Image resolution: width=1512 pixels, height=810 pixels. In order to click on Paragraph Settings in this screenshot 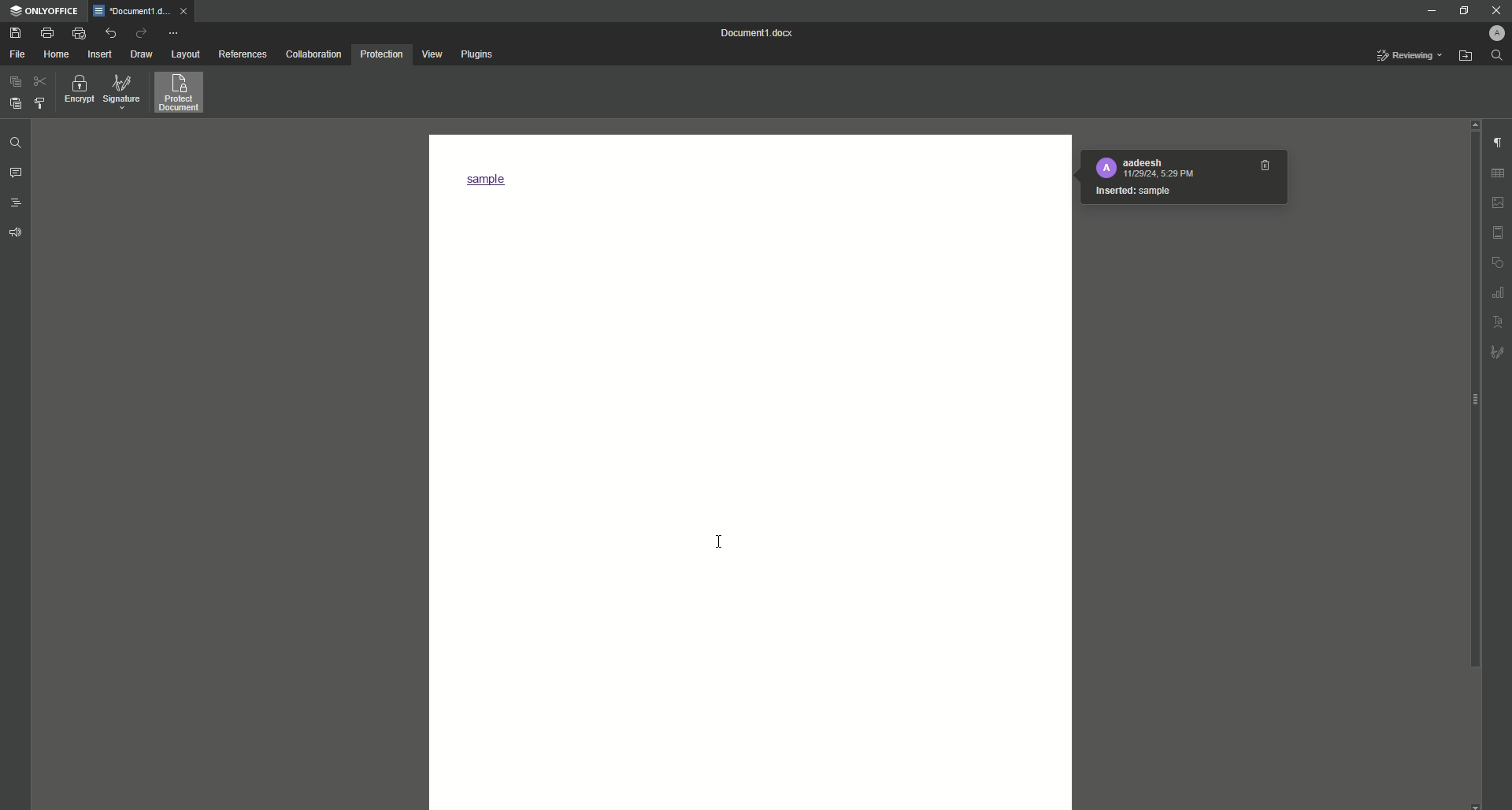, I will do `click(1498, 143)`.